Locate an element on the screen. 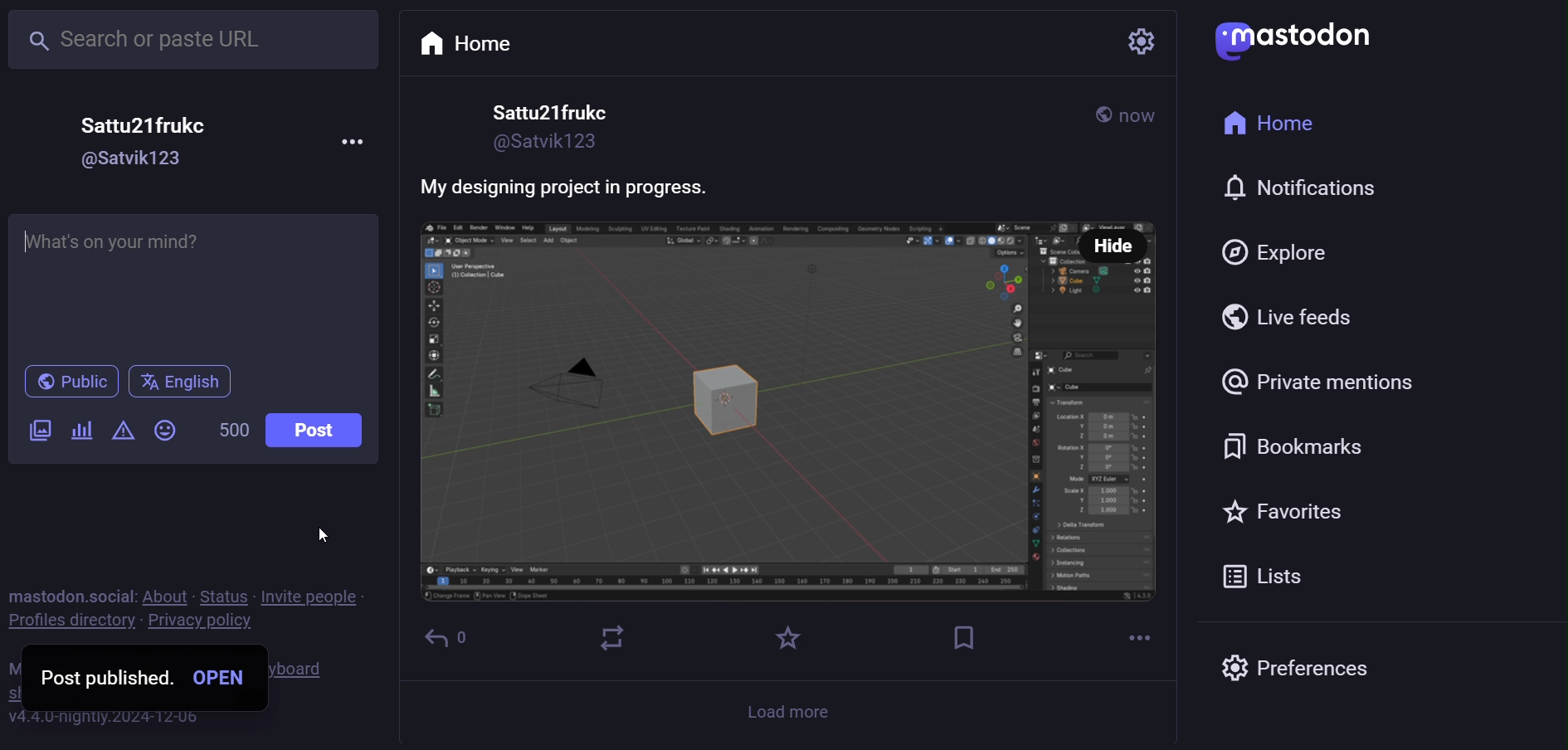  emoji is located at coordinates (163, 431).